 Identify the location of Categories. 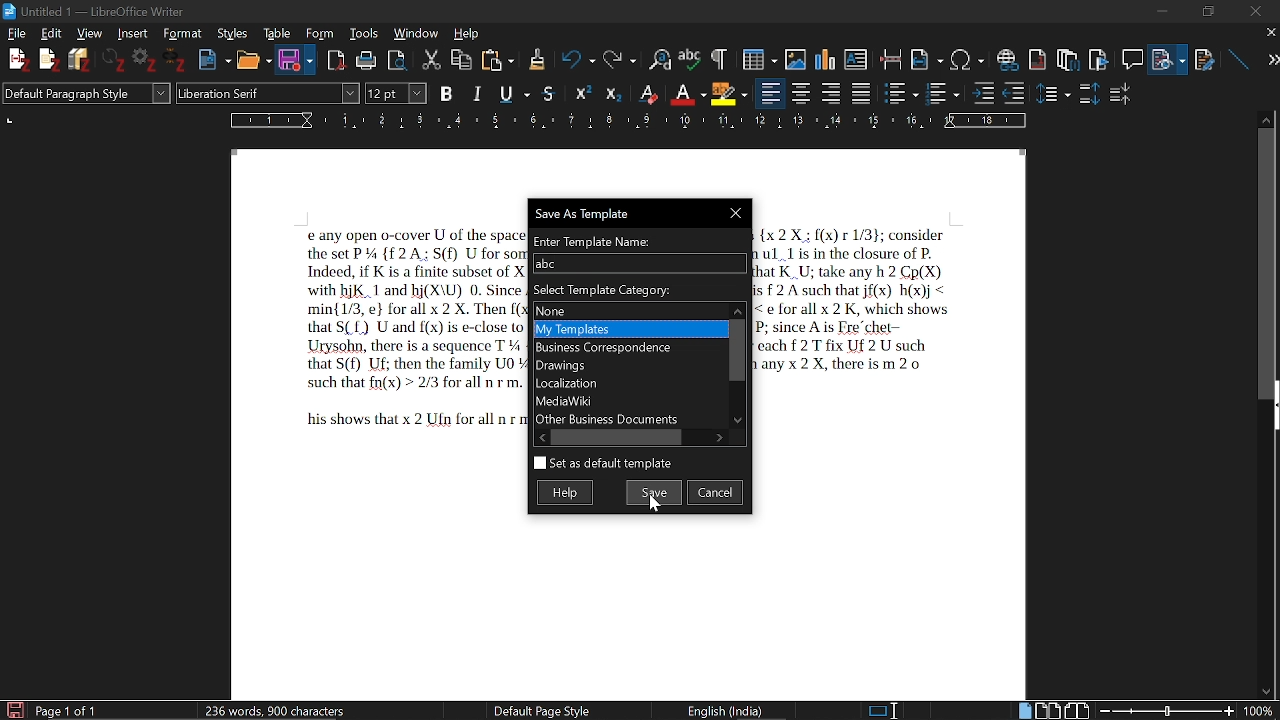
(623, 364).